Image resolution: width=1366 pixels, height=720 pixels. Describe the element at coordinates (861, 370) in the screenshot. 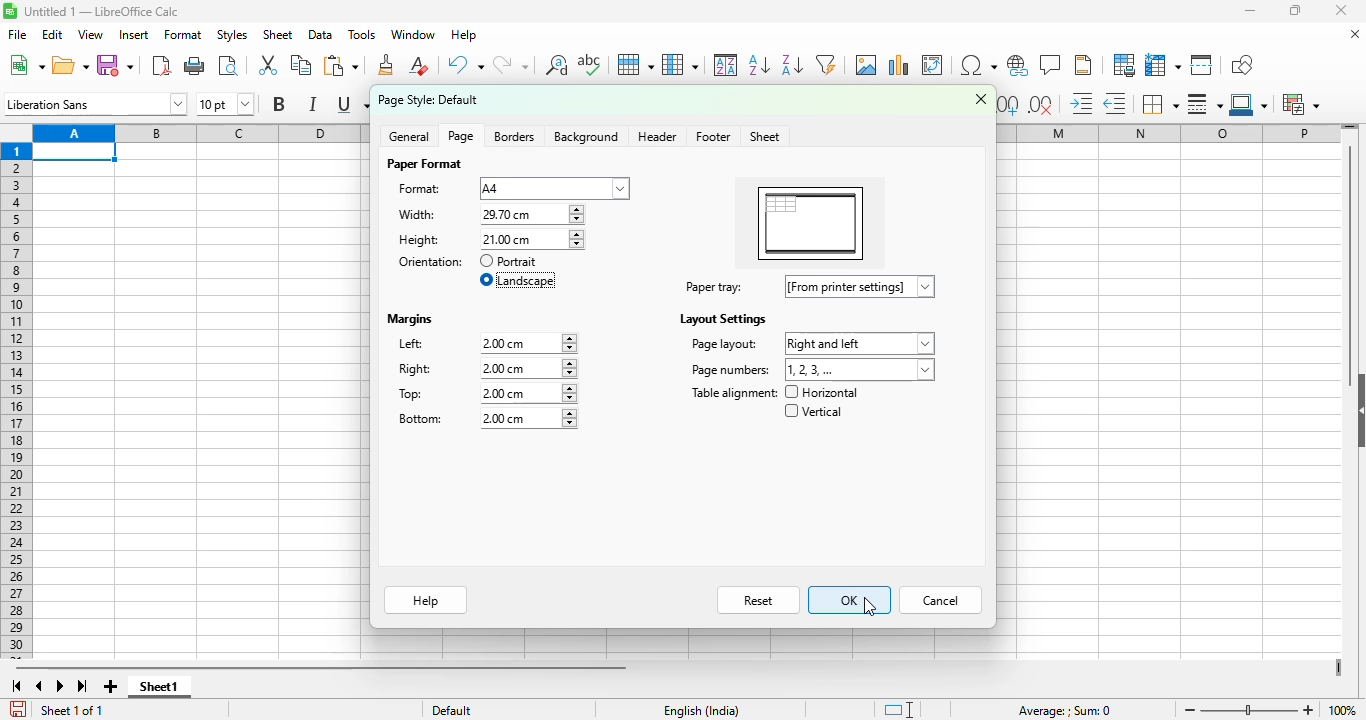

I see `1,2,3,...` at that location.